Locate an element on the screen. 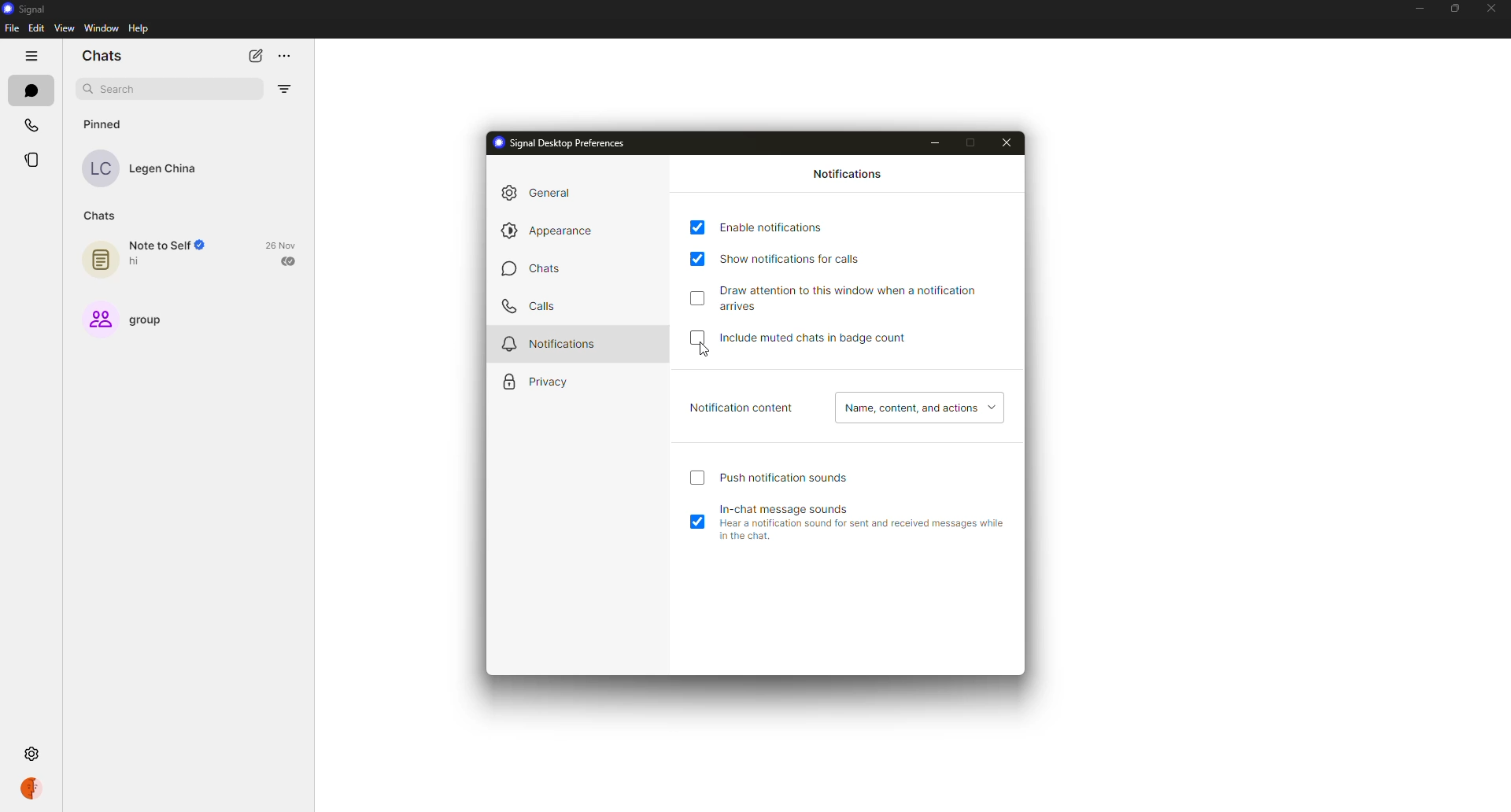  appearance is located at coordinates (552, 231).